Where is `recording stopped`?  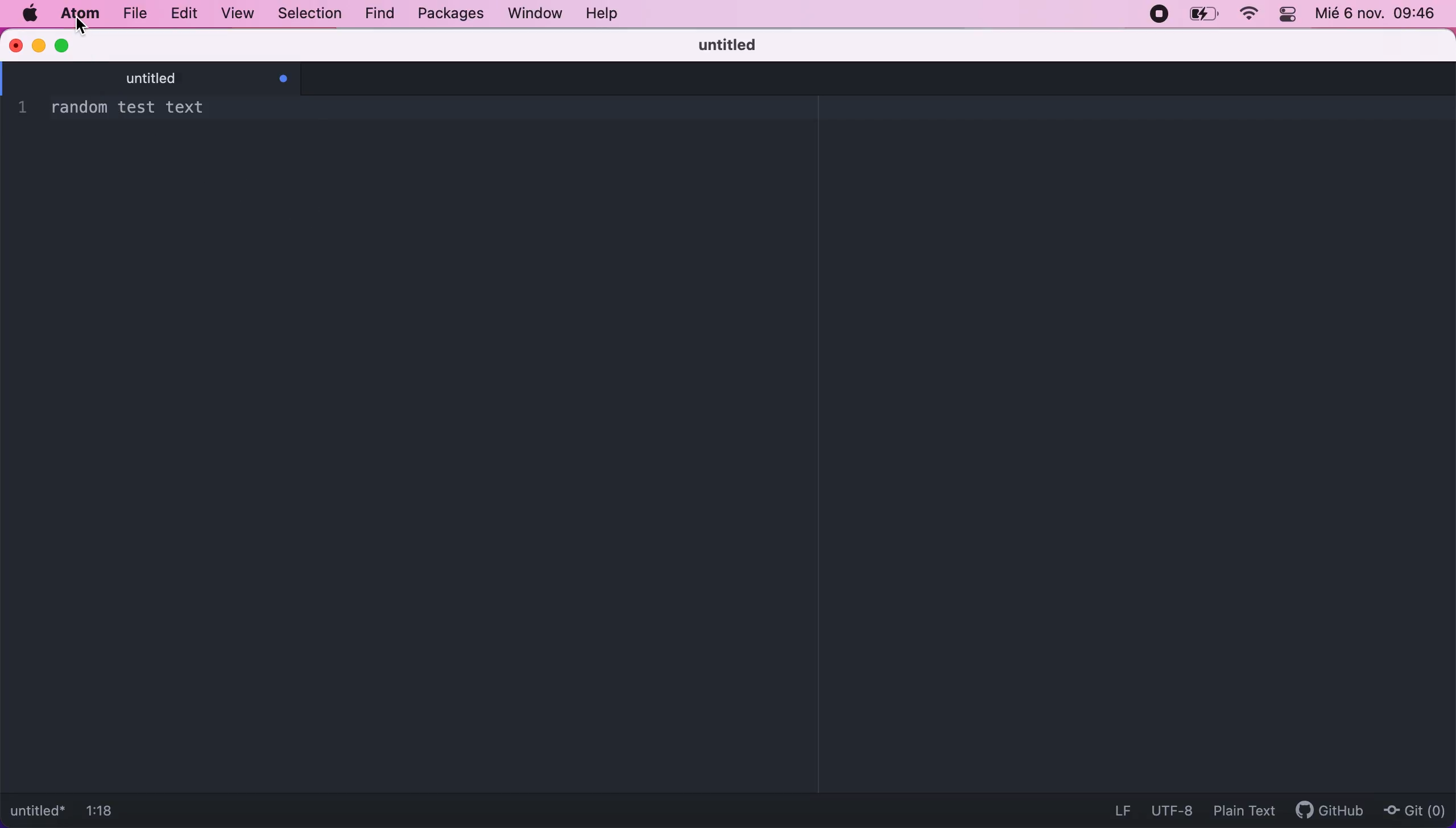 recording stopped is located at coordinates (1156, 14).